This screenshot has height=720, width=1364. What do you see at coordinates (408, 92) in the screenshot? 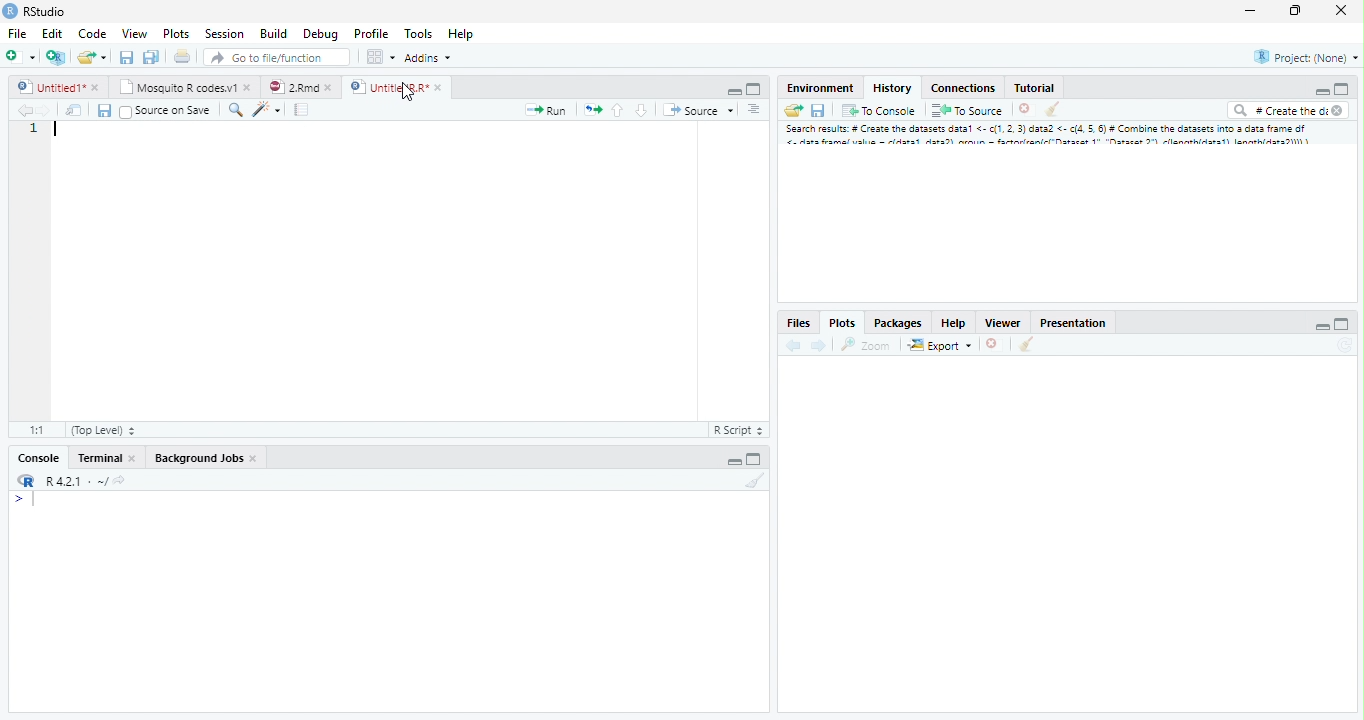
I see `Cursor` at bounding box center [408, 92].